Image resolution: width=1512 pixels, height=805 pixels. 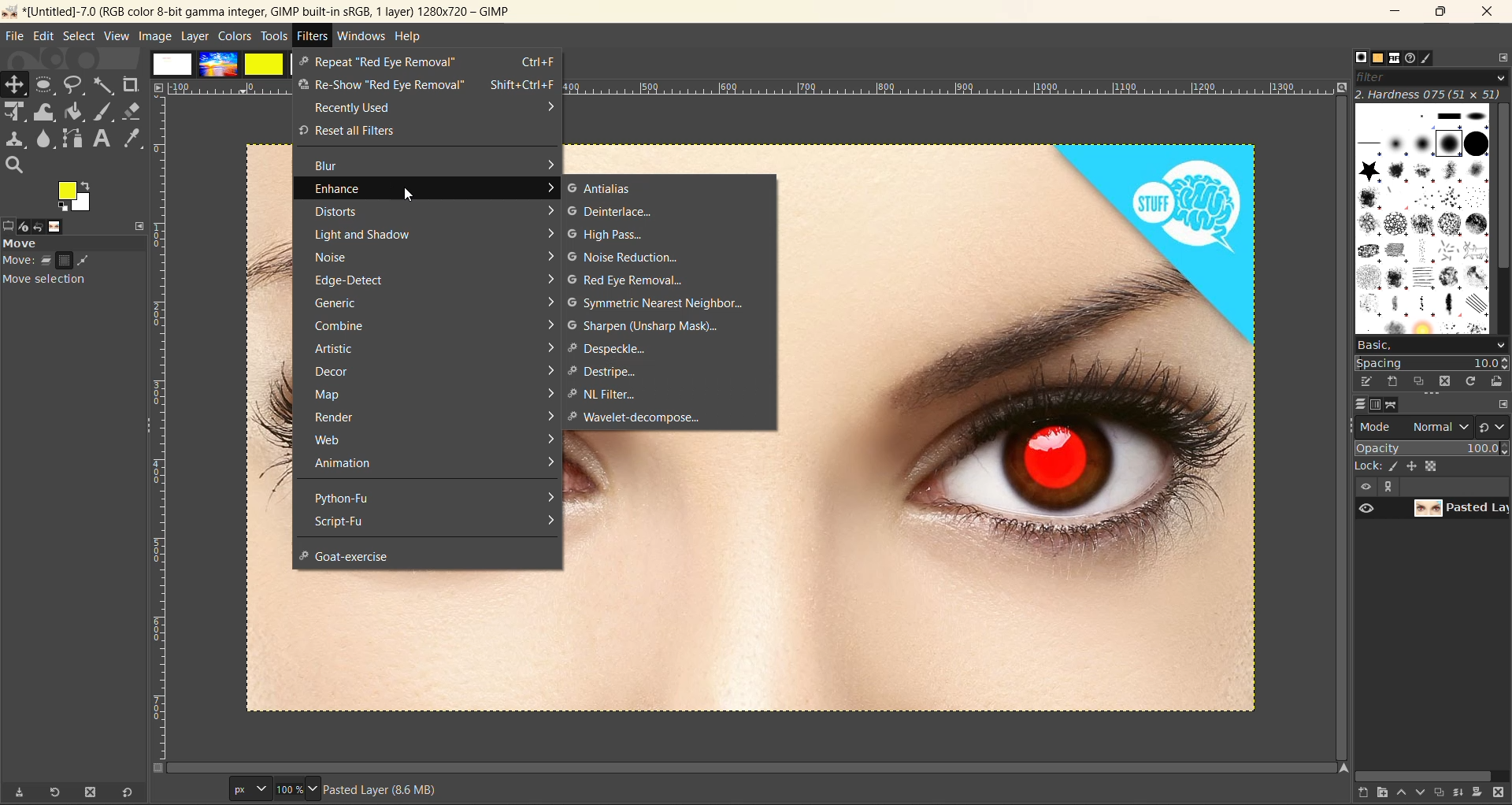 I want to click on horizontal scroll bar, so click(x=1427, y=774).